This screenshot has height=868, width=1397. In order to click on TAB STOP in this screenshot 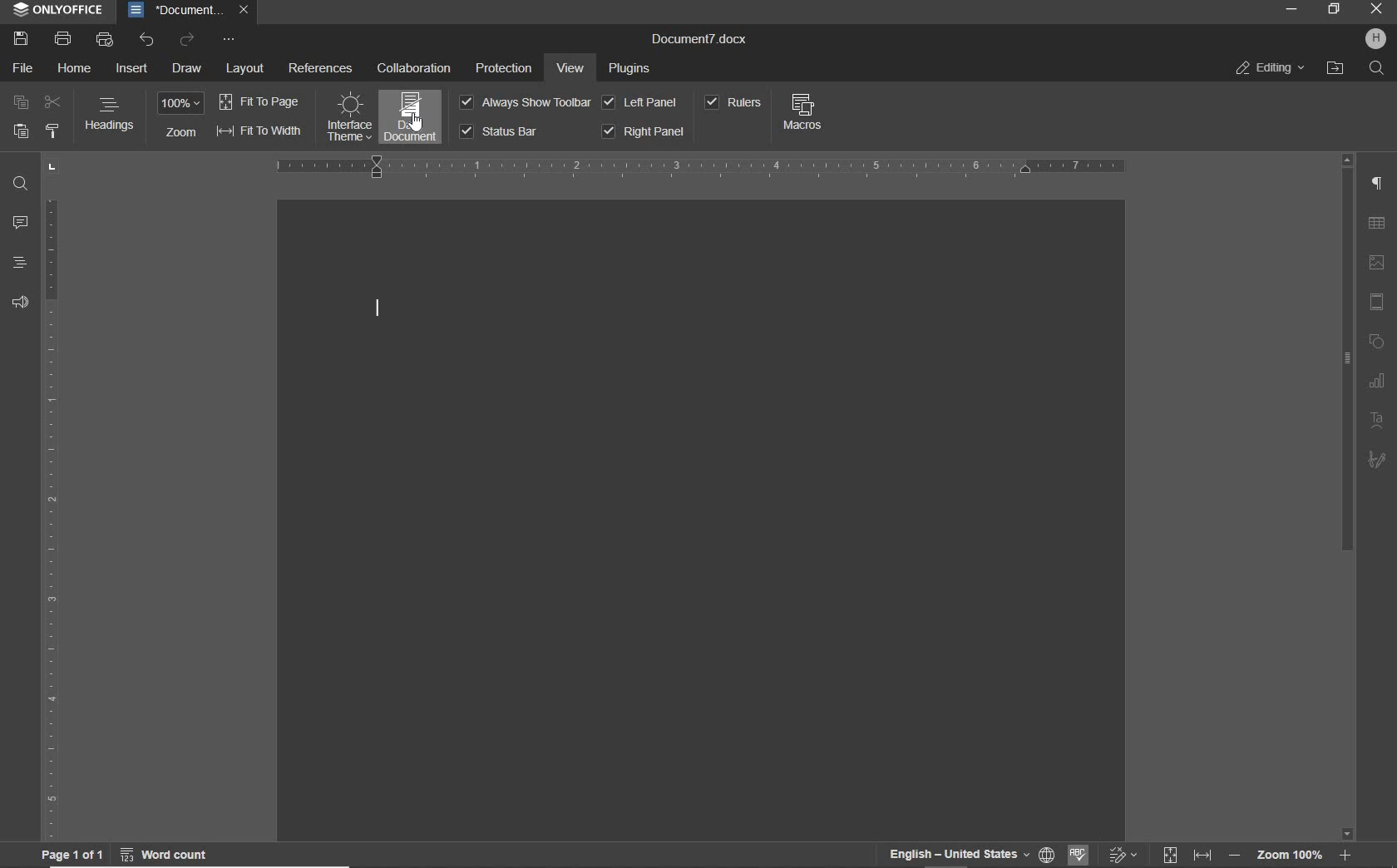, I will do `click(52, 168)`.